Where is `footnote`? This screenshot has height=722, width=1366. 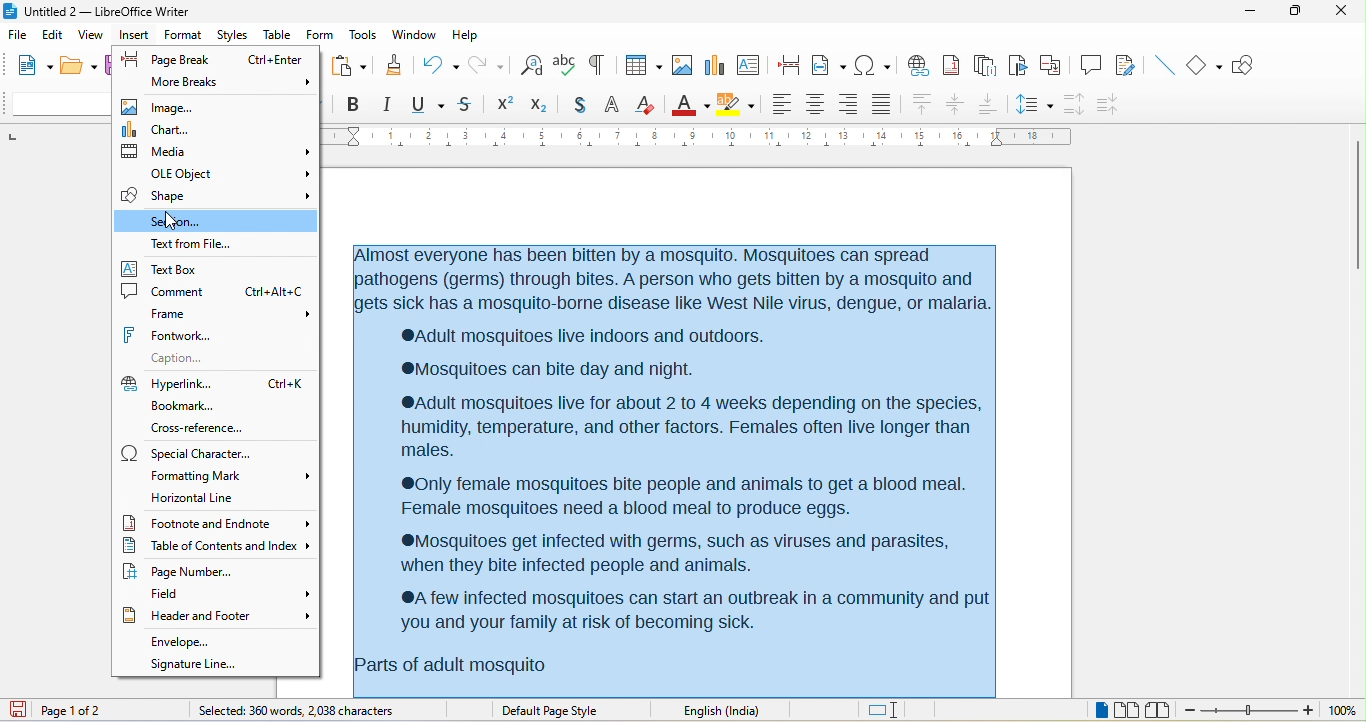 footnote is located at coordinates (954, 67).